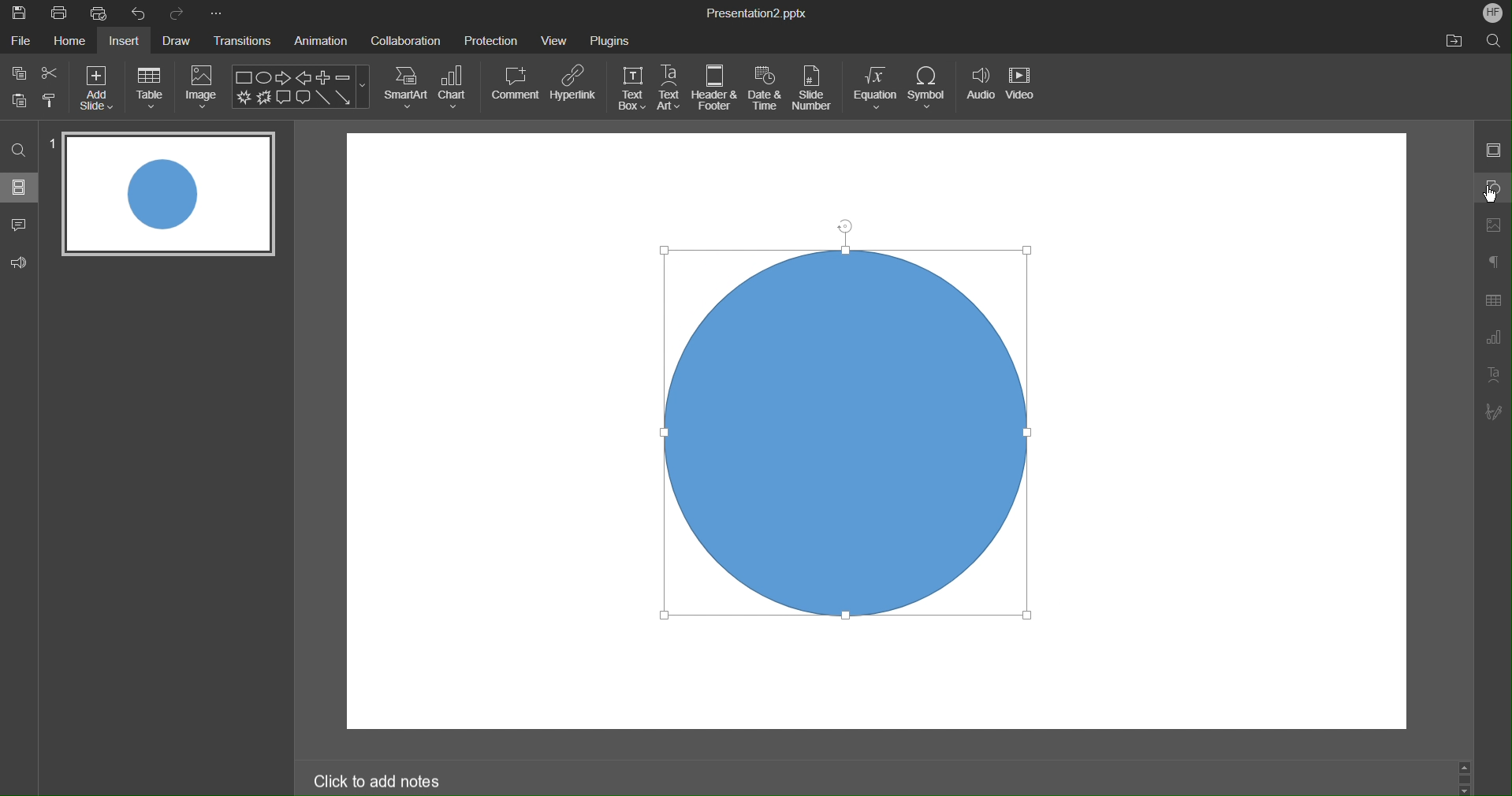 The image size is (1512, 796). I want to click on Home, so click(68, 42).